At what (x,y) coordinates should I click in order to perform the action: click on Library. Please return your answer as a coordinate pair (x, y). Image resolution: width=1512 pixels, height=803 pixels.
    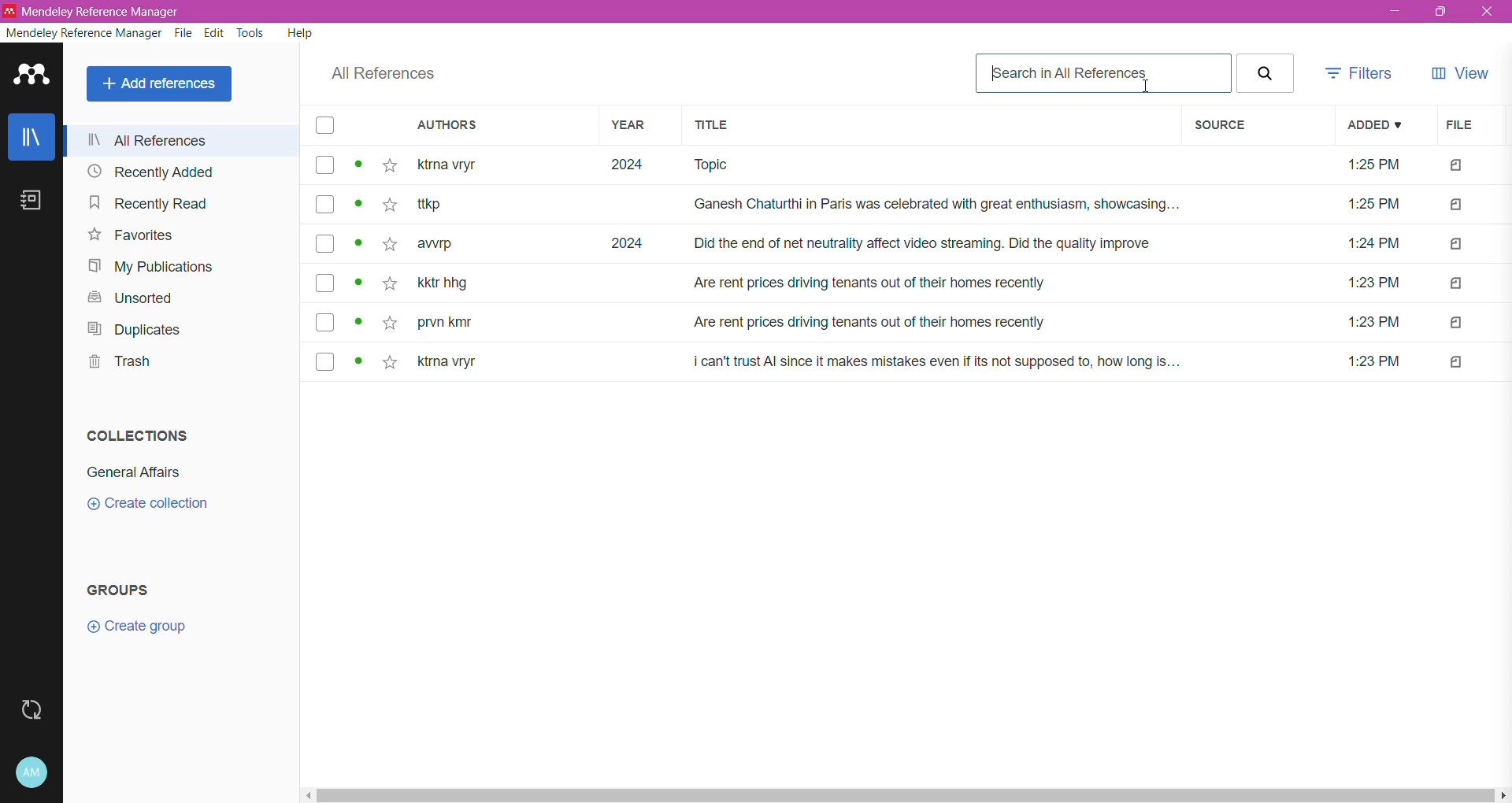
    Looking at the image, I should click on (32, 139).